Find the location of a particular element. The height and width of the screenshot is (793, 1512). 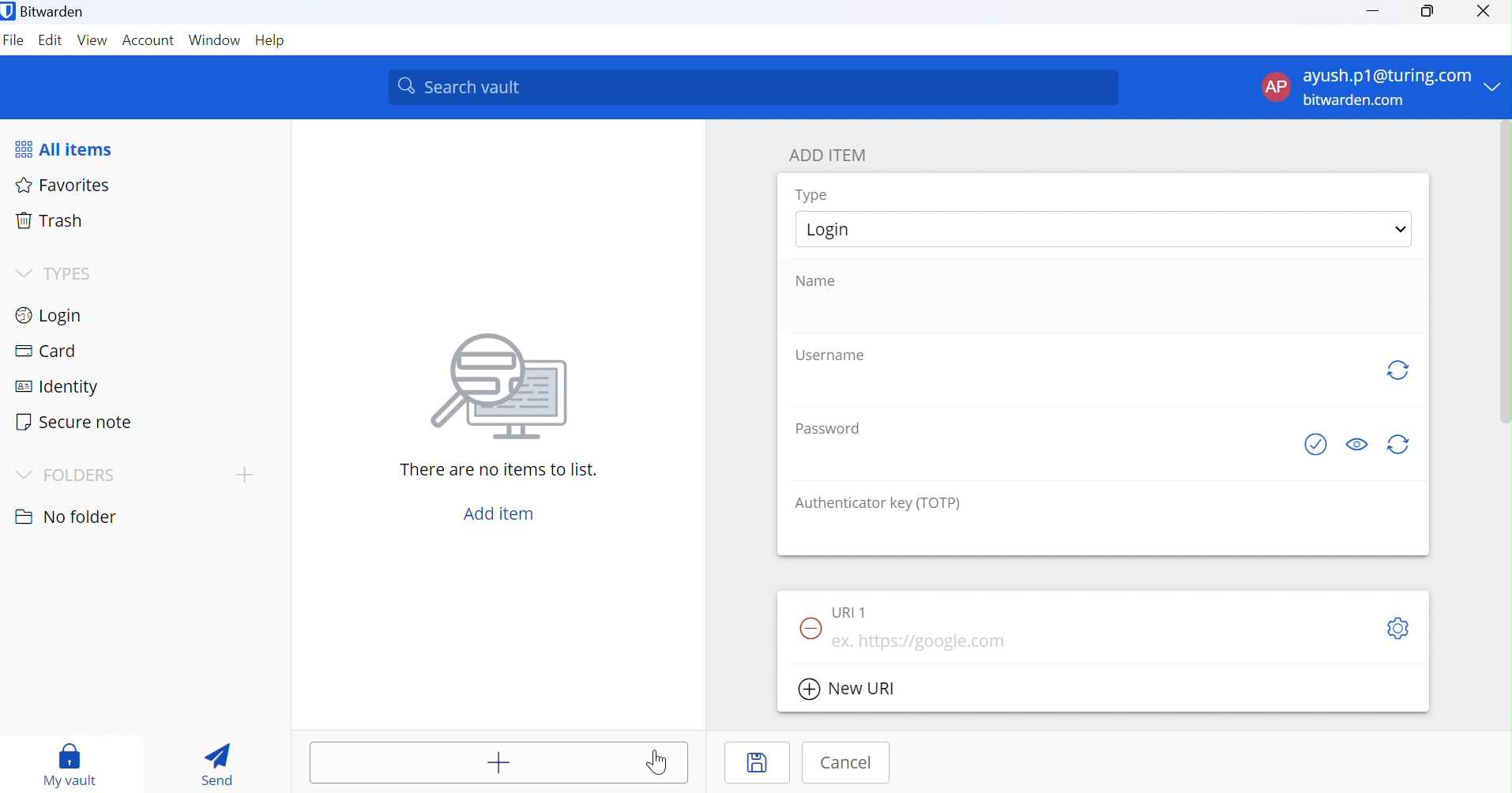

Regenerate username is located at coordinates (1397, 371).